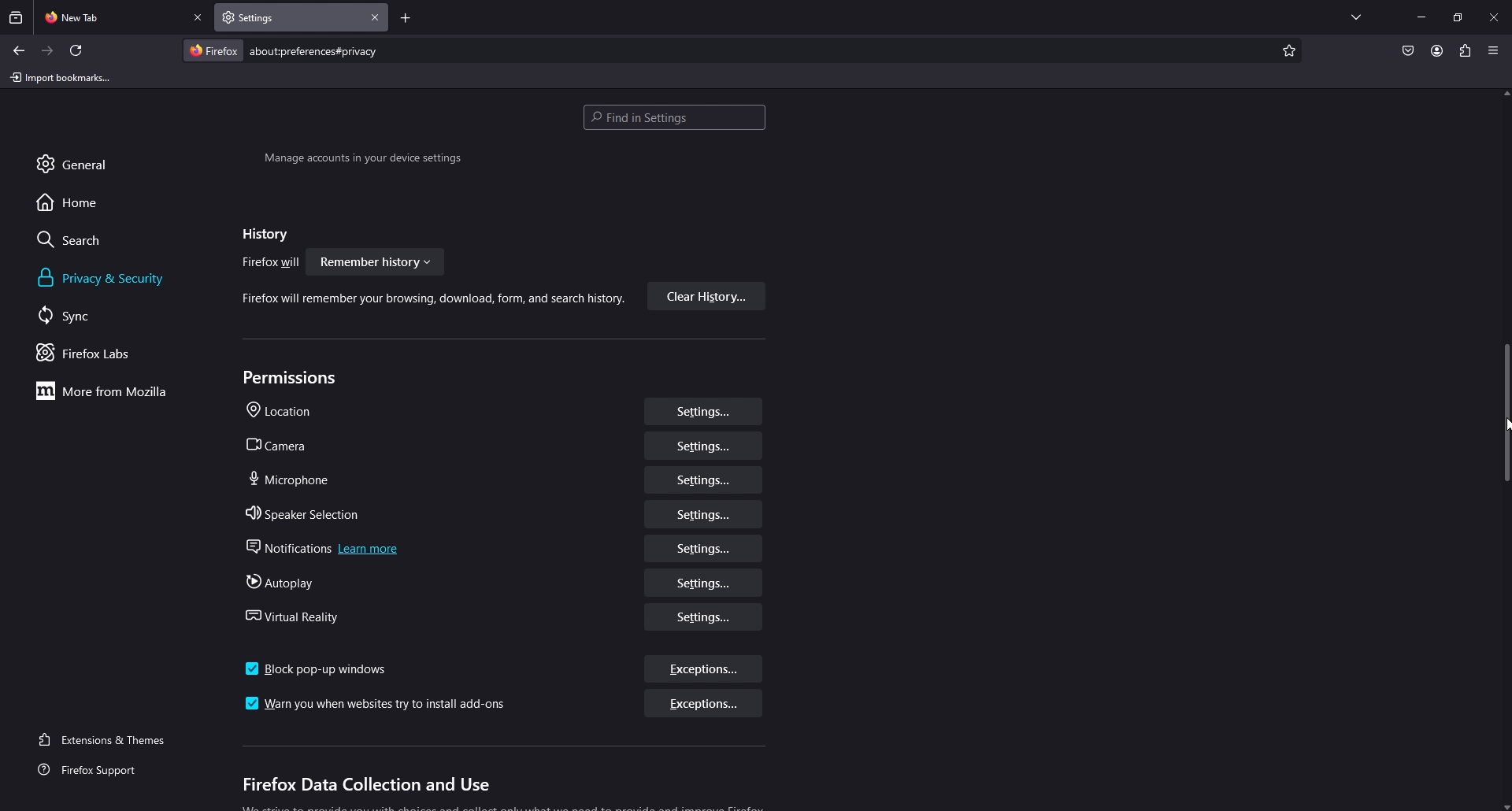 The height and width of the screenshot is (811, 1512). What do you see at coordinates (83, 239) in the screenshot?
I see `search` at bounding box center [83, 239].